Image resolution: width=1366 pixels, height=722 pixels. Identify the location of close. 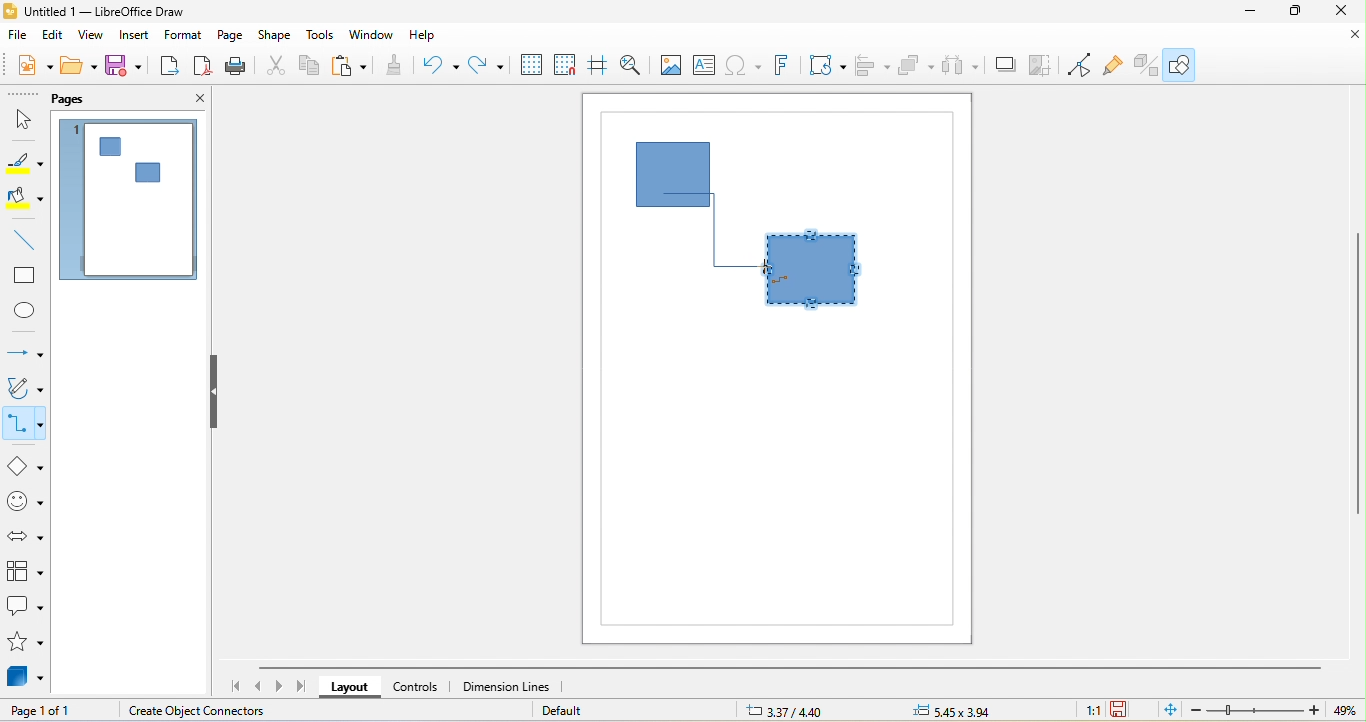
(1342, 10).